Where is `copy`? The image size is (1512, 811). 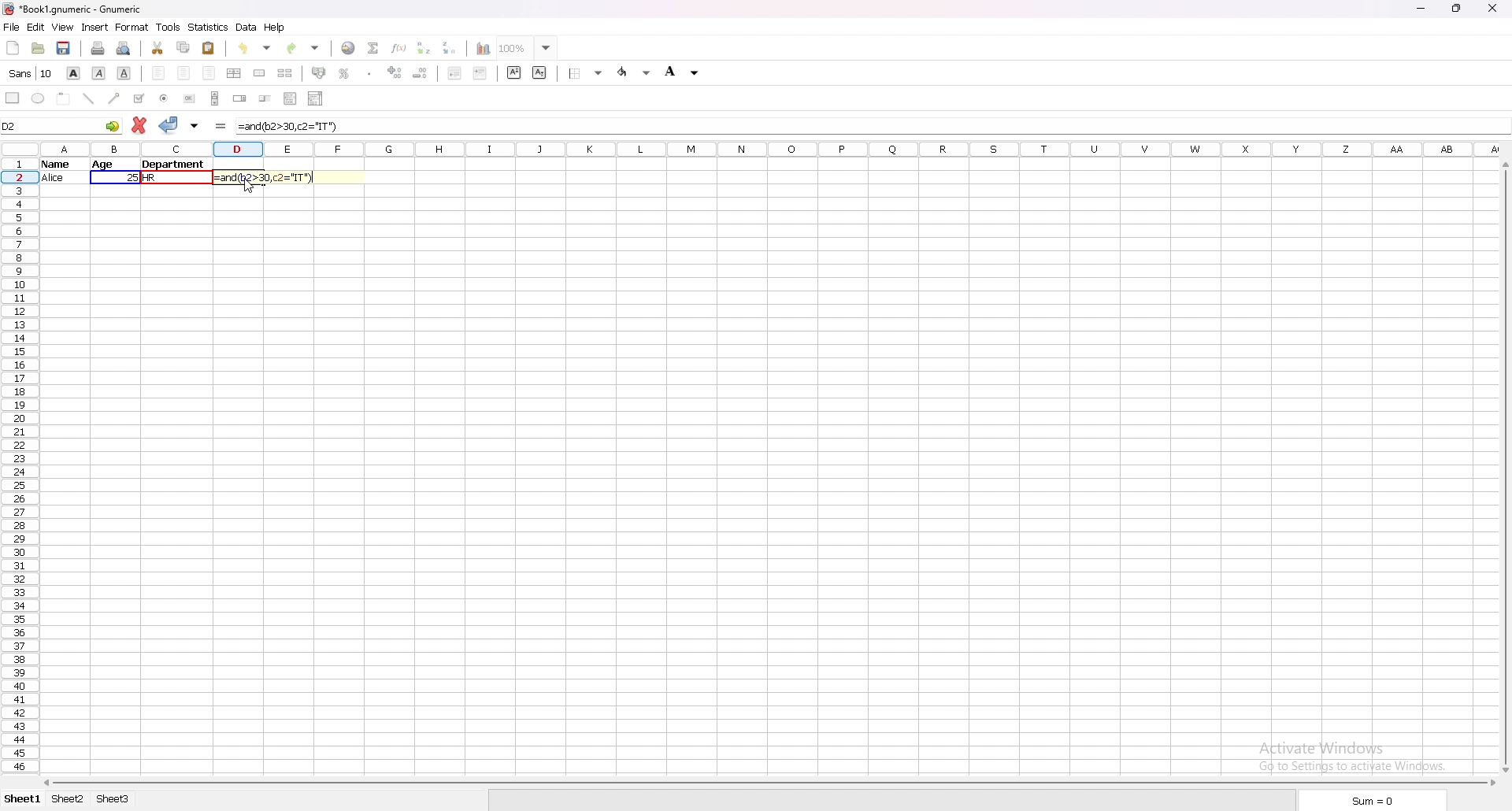
copy is located at coordinates (183, 47).